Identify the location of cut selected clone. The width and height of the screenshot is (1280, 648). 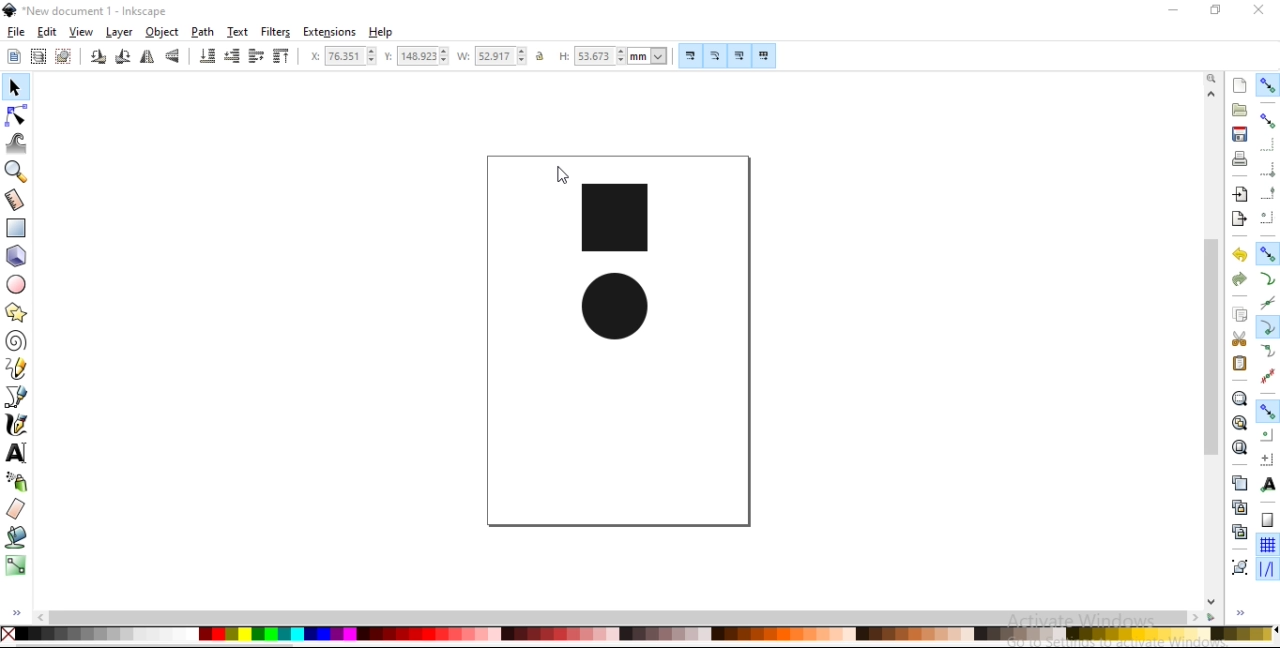
(1237, 533).